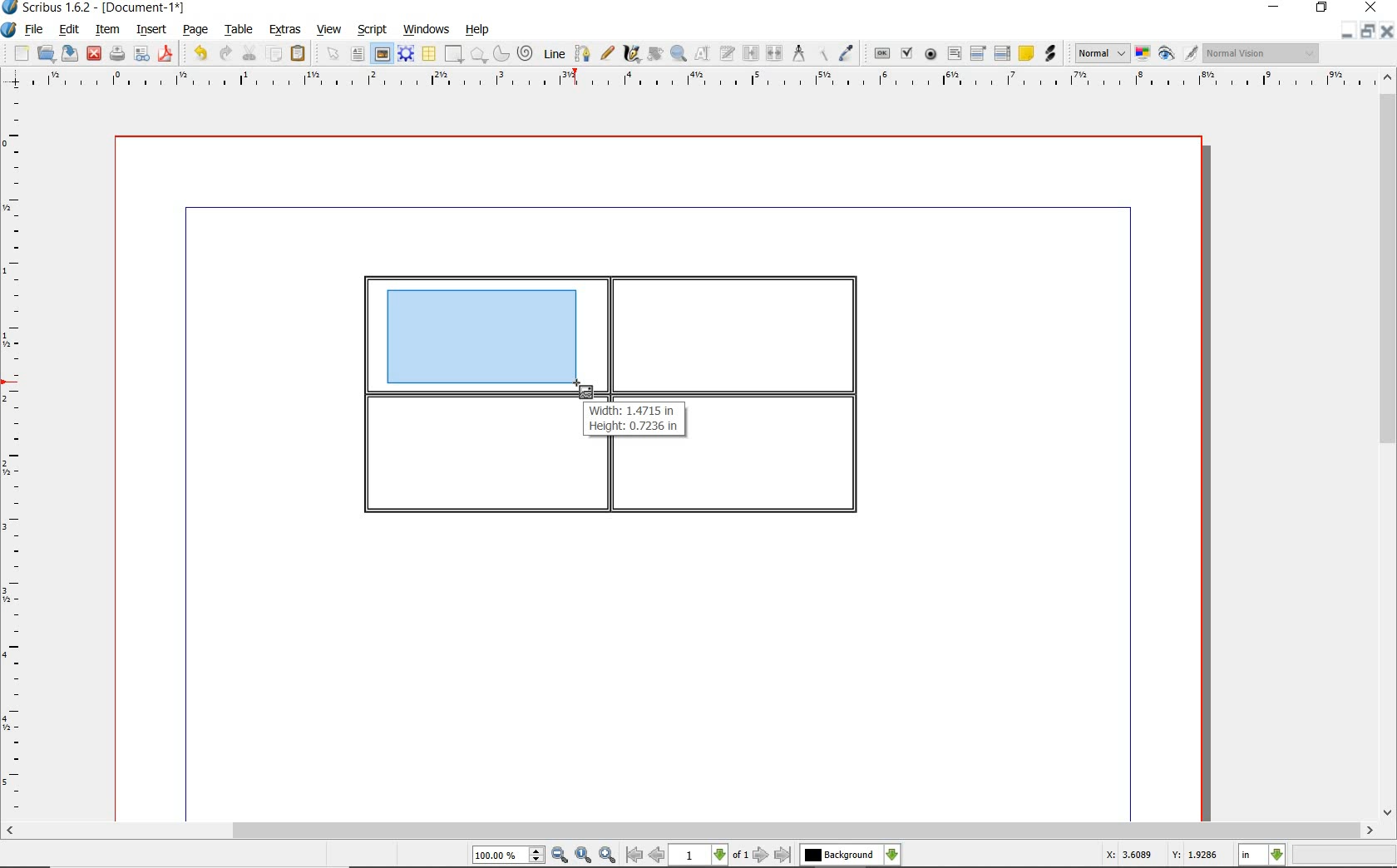 Image resolution: width=1397 pixels, height=868 pixels. Describe the element at coordinates (47, 54) in the screenshot. I see `open` at that location.